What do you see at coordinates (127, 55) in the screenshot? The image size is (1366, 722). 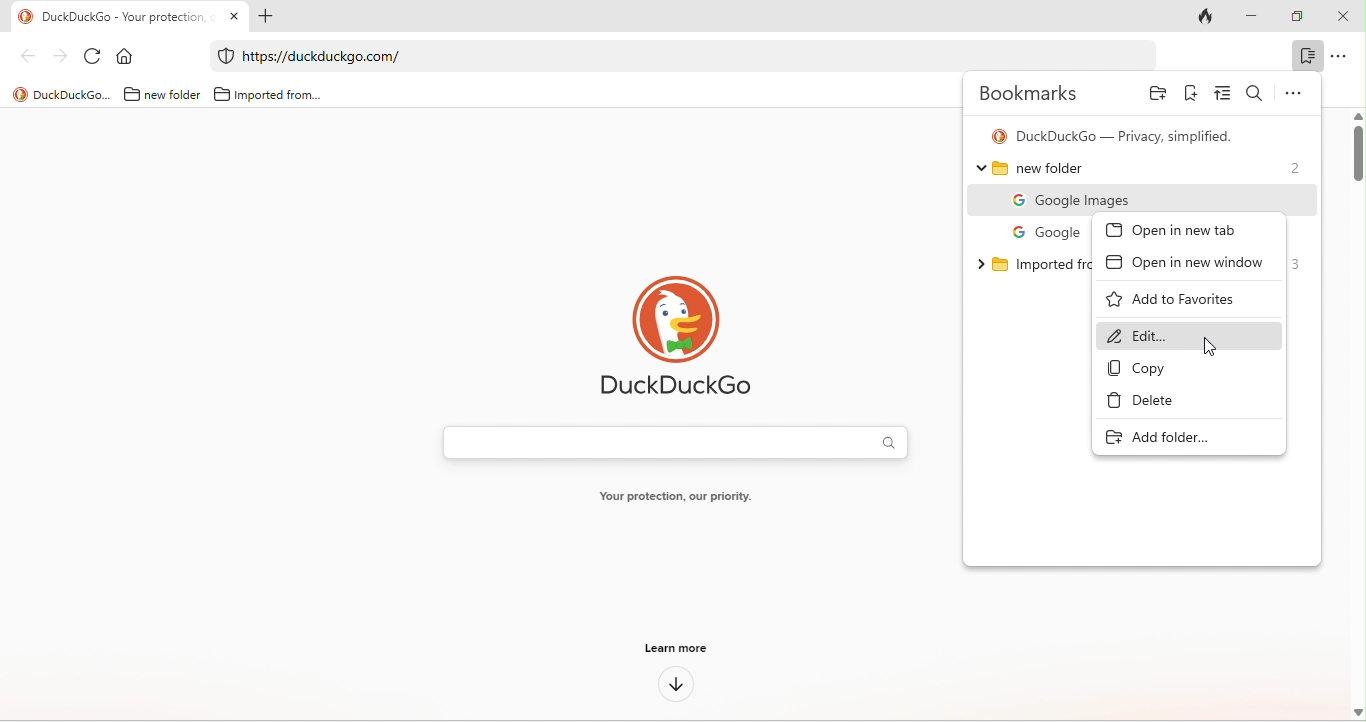 I see `home` at bounding box center [127, 55].